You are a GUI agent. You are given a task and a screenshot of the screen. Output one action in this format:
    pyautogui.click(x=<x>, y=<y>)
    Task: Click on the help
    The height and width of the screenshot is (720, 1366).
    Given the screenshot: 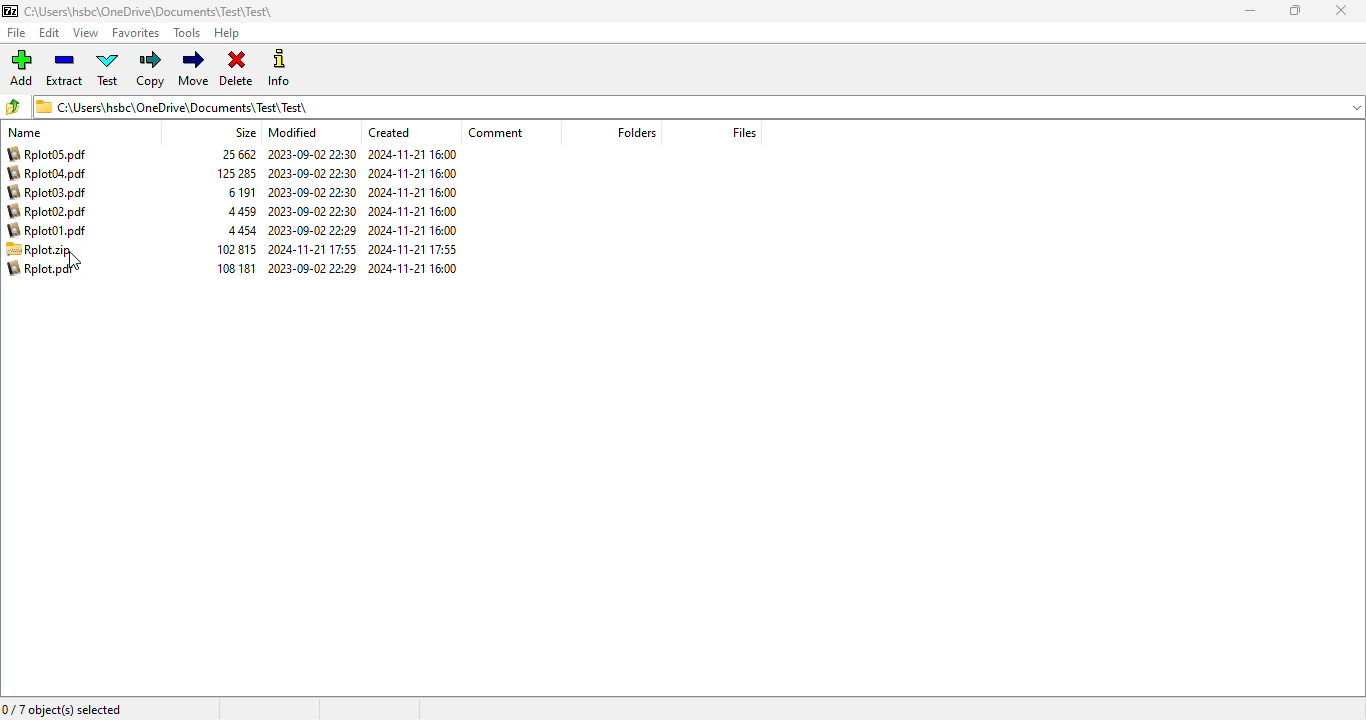 What is the action you would take?
    pyautogui.click(x=226, y=34)
    